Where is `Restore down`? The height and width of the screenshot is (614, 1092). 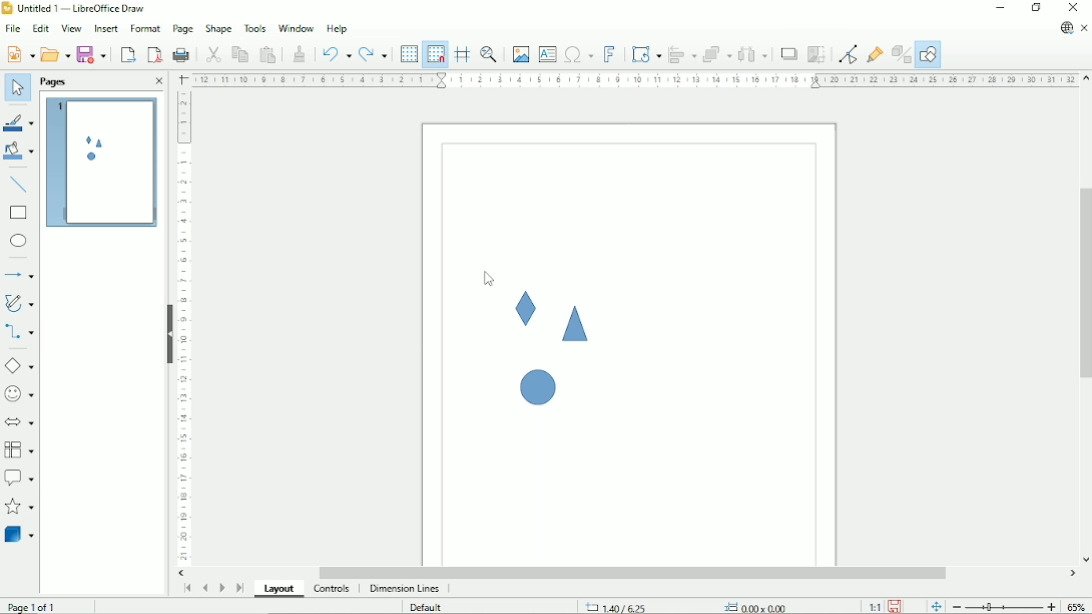 Restore down is located at coordinates (1036, 8).